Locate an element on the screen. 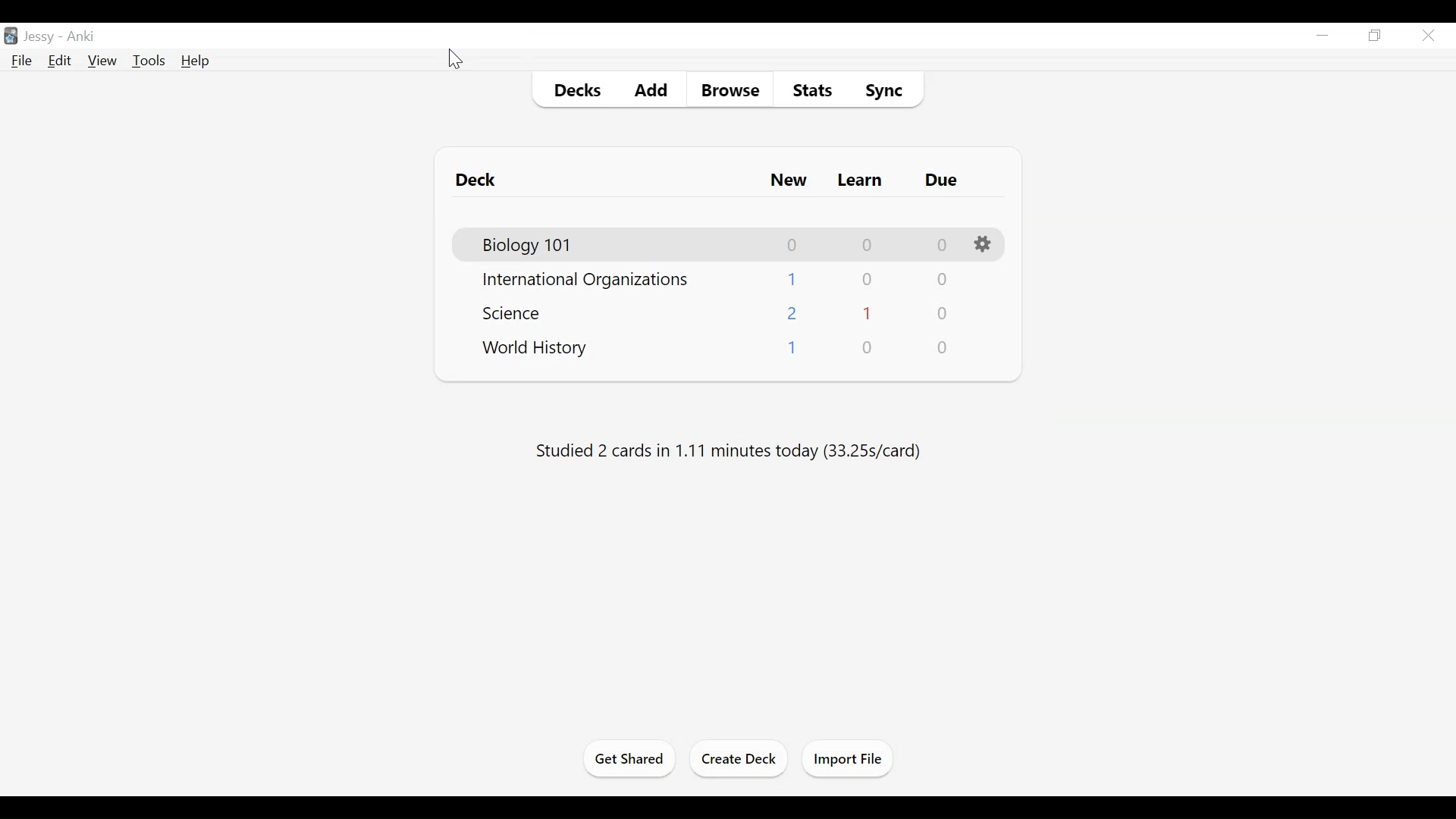 The height and width of the screenshot is (819, 1456). Studied number of cards in number of minutes today (s/cards) is located at coordinates (730, 450).